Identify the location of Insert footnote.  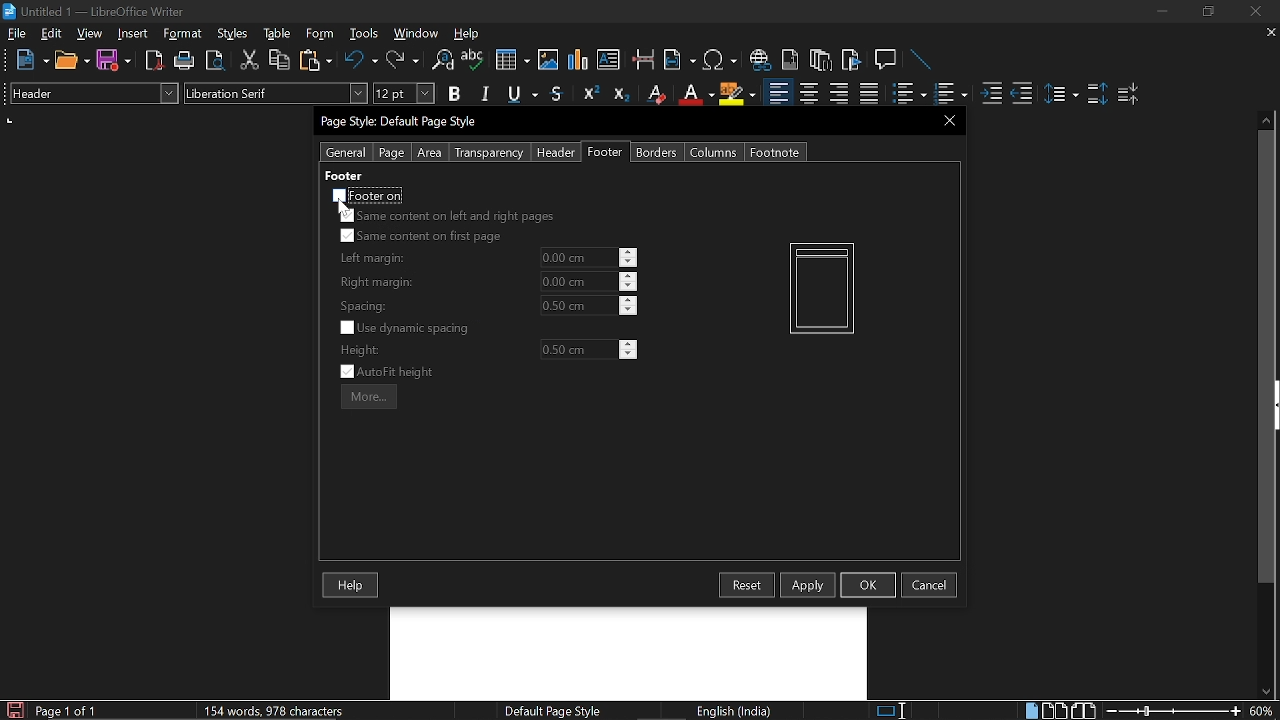
(821, 60).